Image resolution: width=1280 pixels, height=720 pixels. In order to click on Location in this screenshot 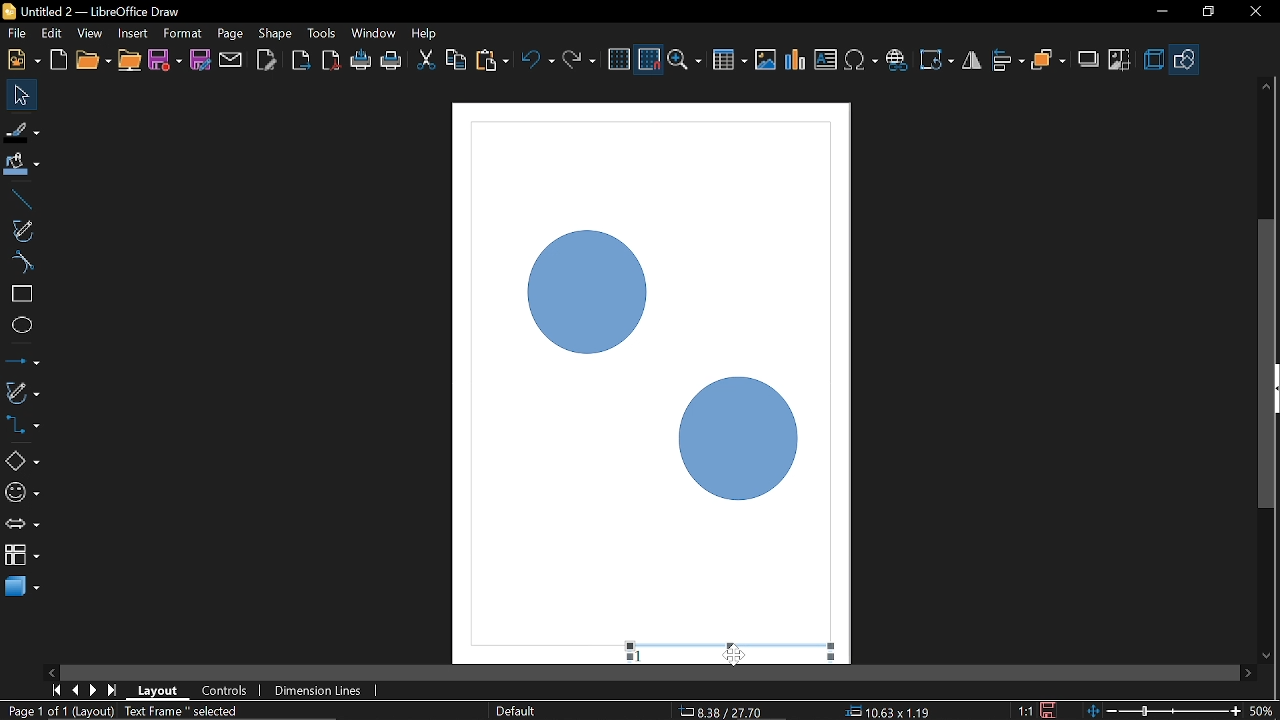, I will do `click(723, 710)`.